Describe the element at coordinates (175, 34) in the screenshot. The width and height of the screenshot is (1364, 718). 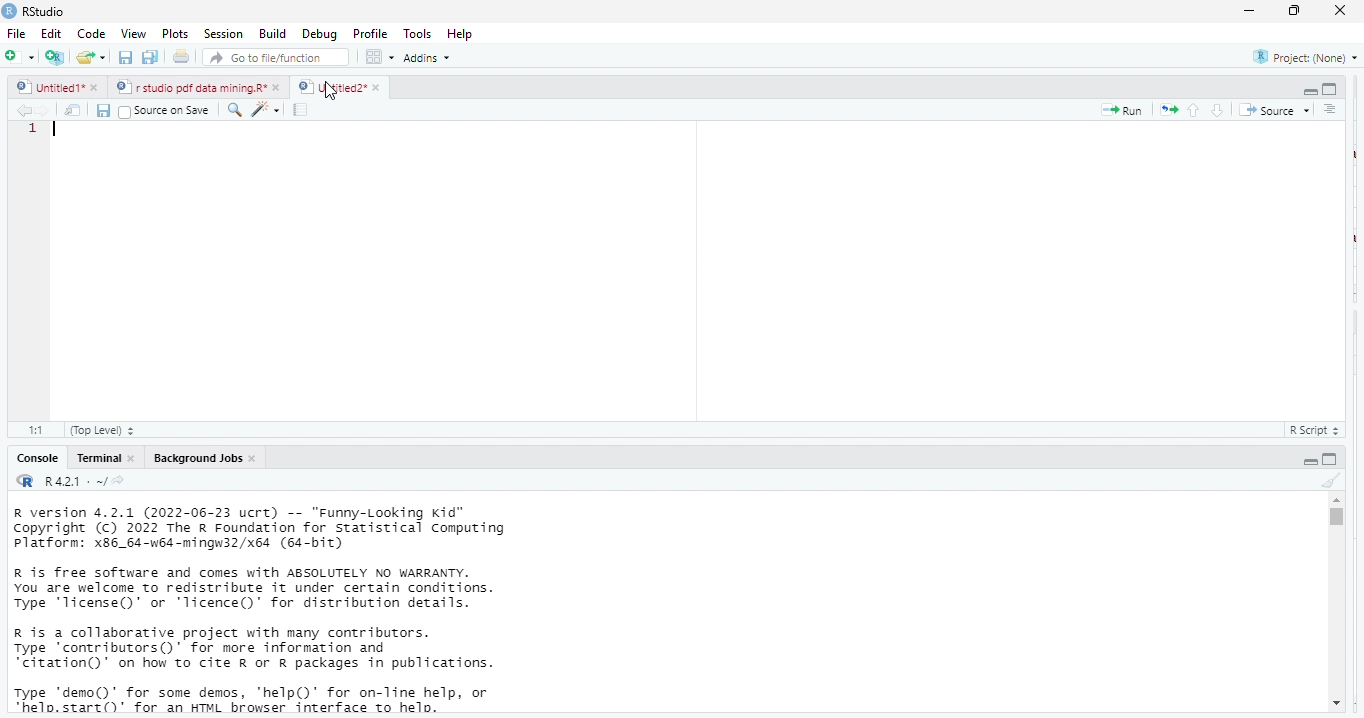
I see `plots` at that location.